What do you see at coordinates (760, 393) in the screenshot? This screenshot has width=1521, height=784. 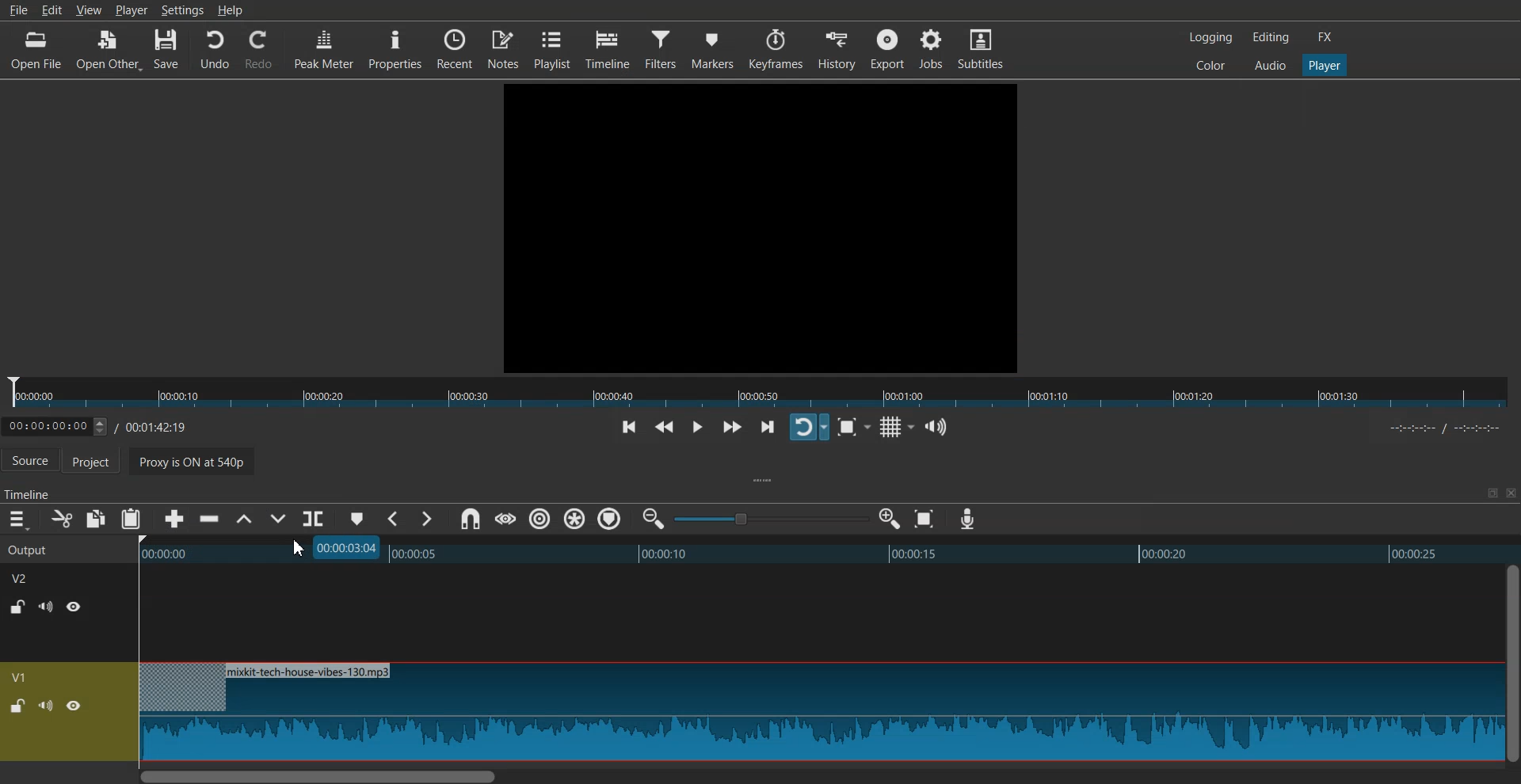 I see `Slider` at bounding box center [760, 393].